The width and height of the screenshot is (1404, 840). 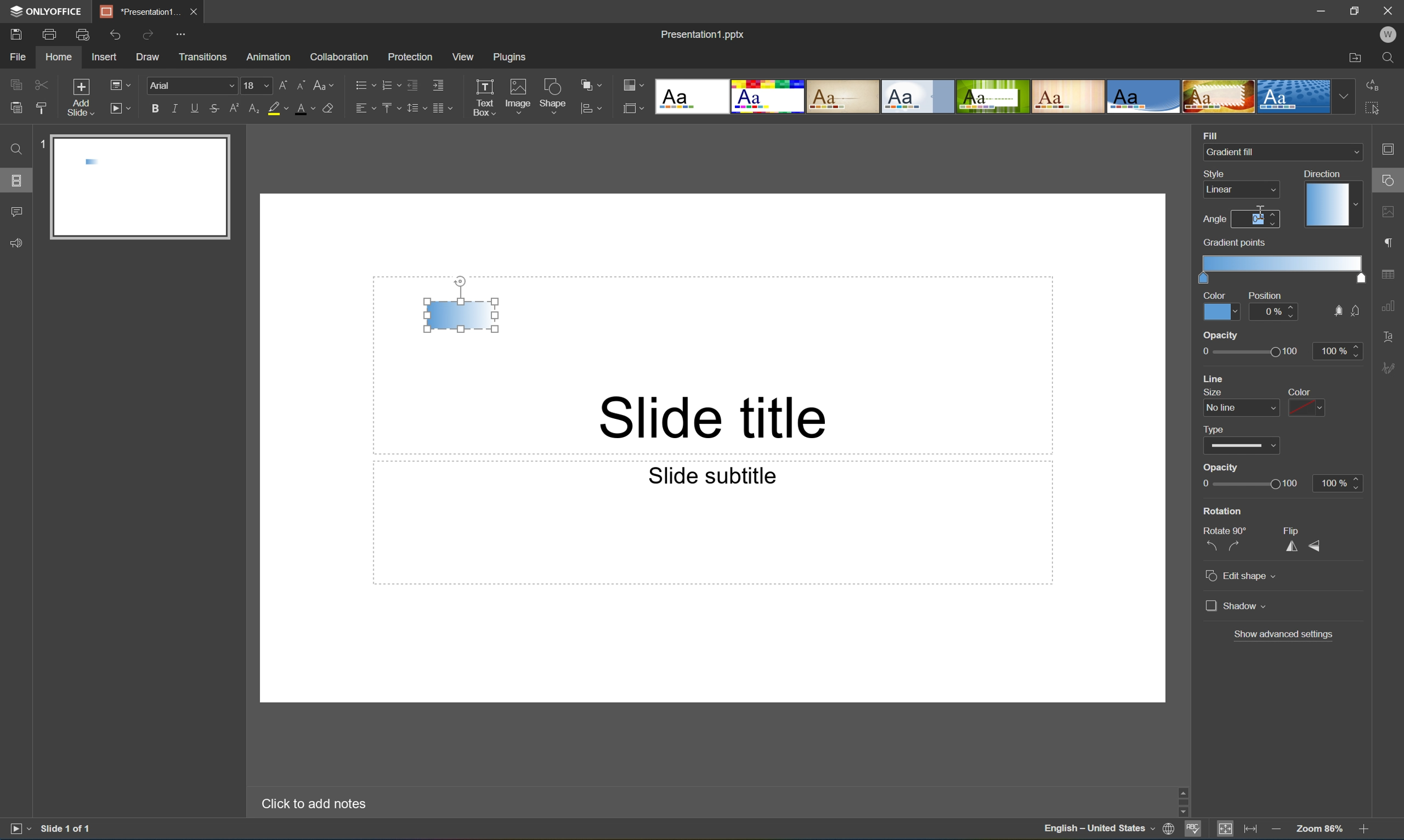 I want to click on color dropdown, so click(x=1307, y=408).